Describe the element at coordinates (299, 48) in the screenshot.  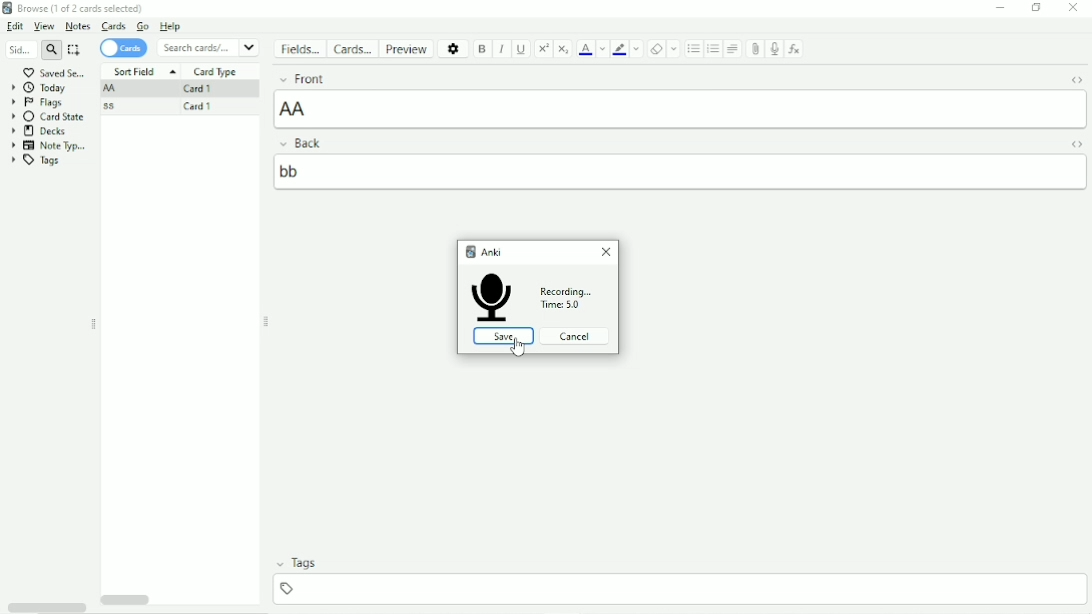
I see `Fields` at that location.